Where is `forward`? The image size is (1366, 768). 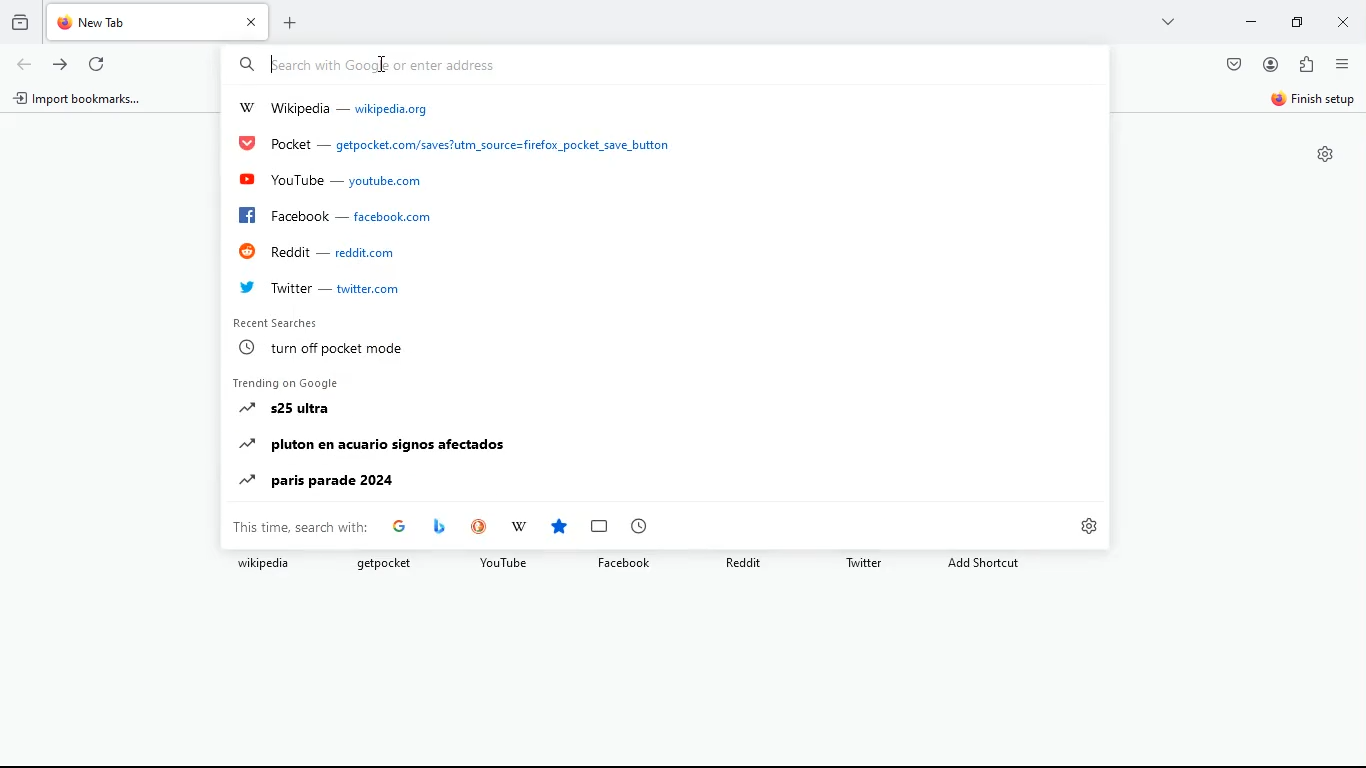 forward is located at coordinates (62, 64).